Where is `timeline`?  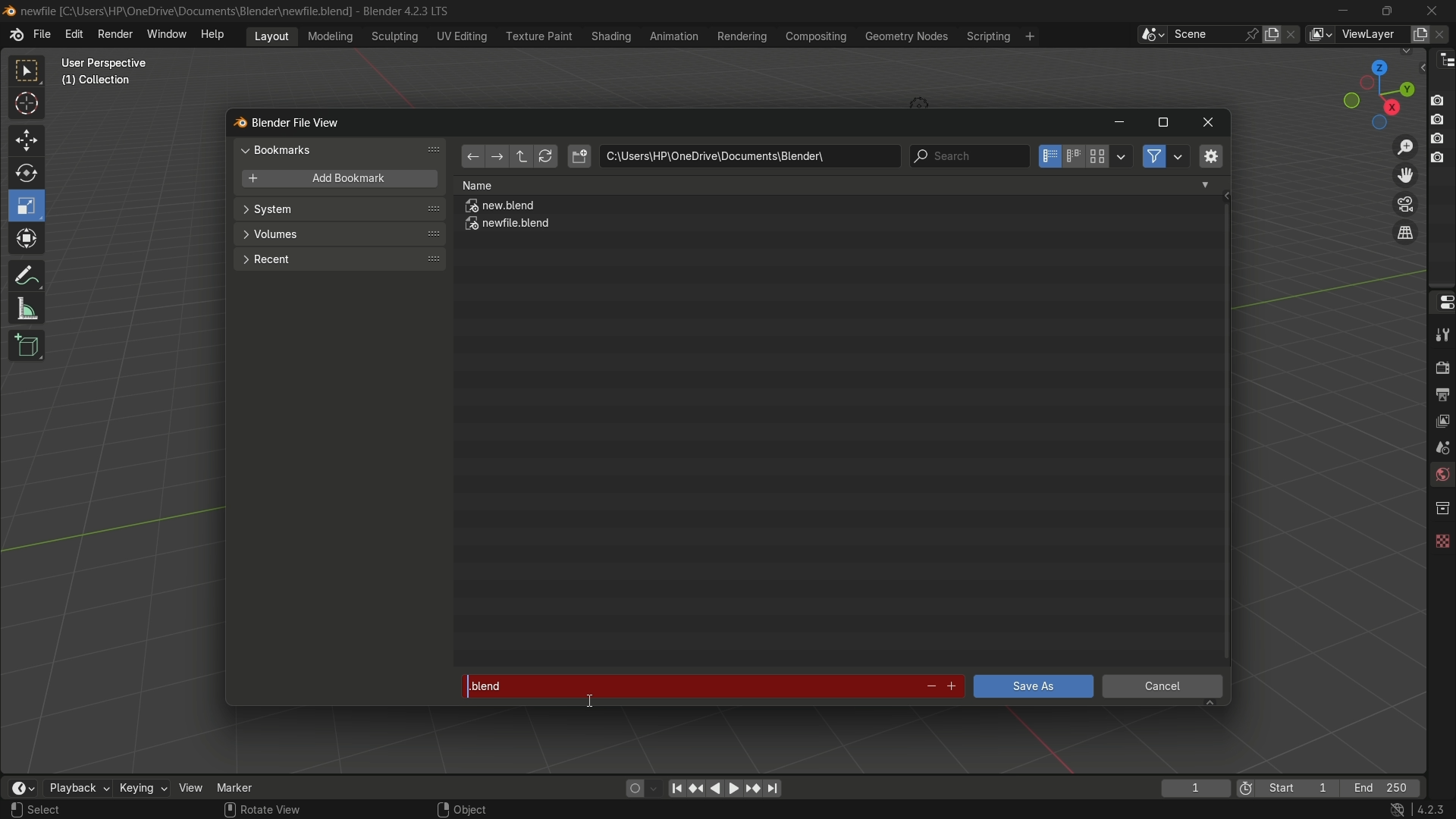
timeline is located at coordinates (22, 788).